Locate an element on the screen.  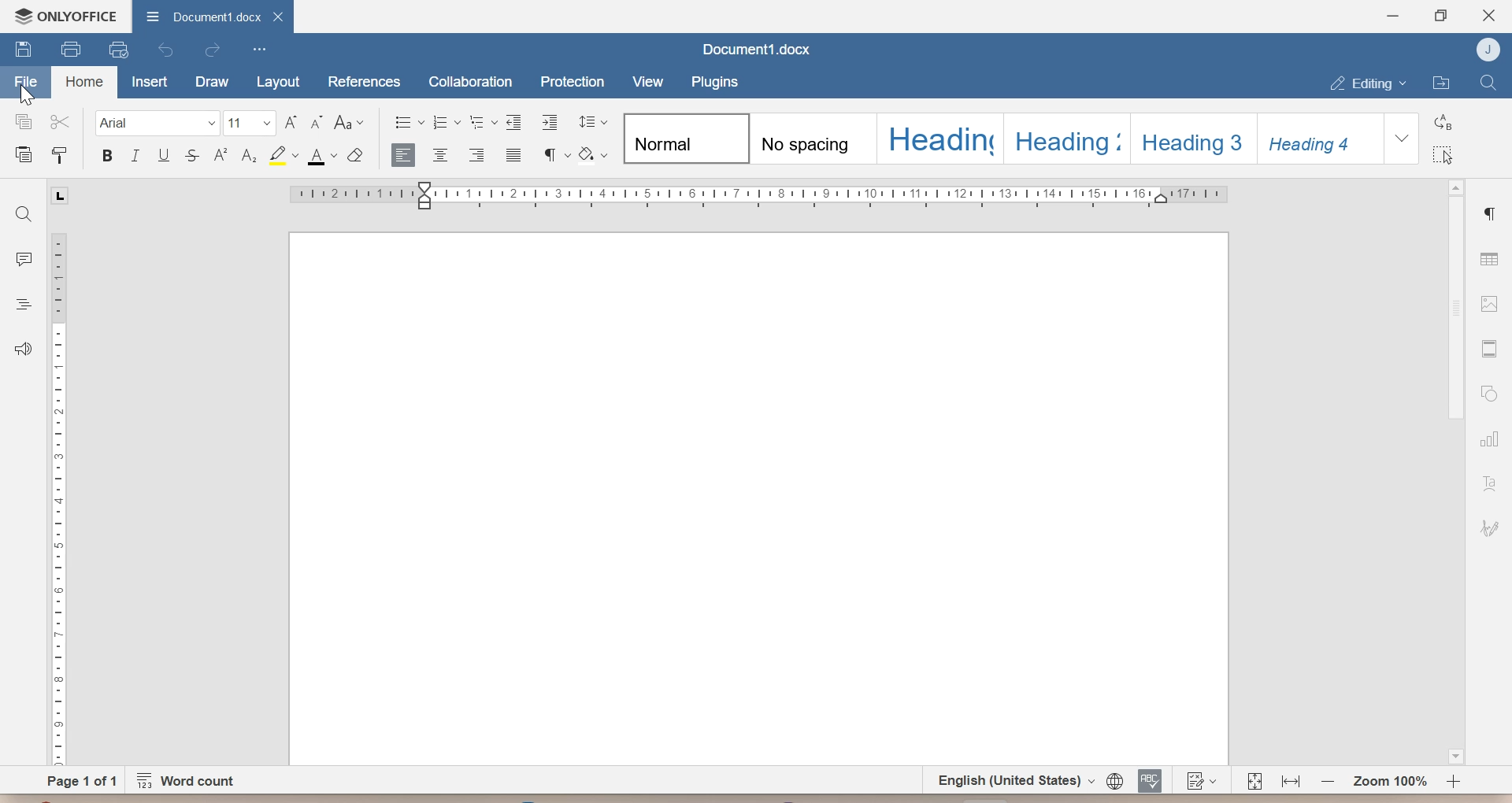
No spacing is located at coordinates (817, 139).